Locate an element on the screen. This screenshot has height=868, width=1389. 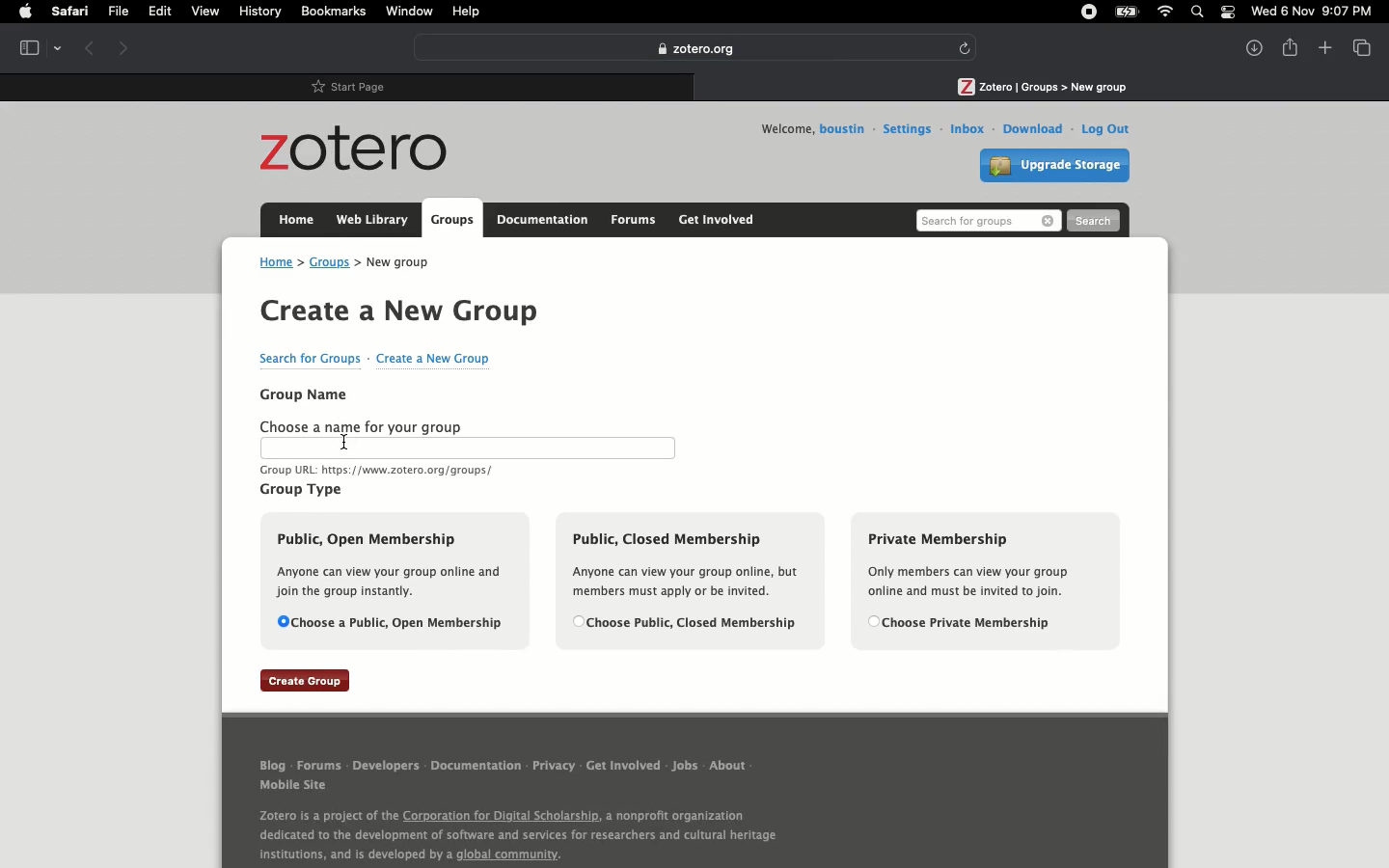
Text bar is located at coordinates (467, 449).